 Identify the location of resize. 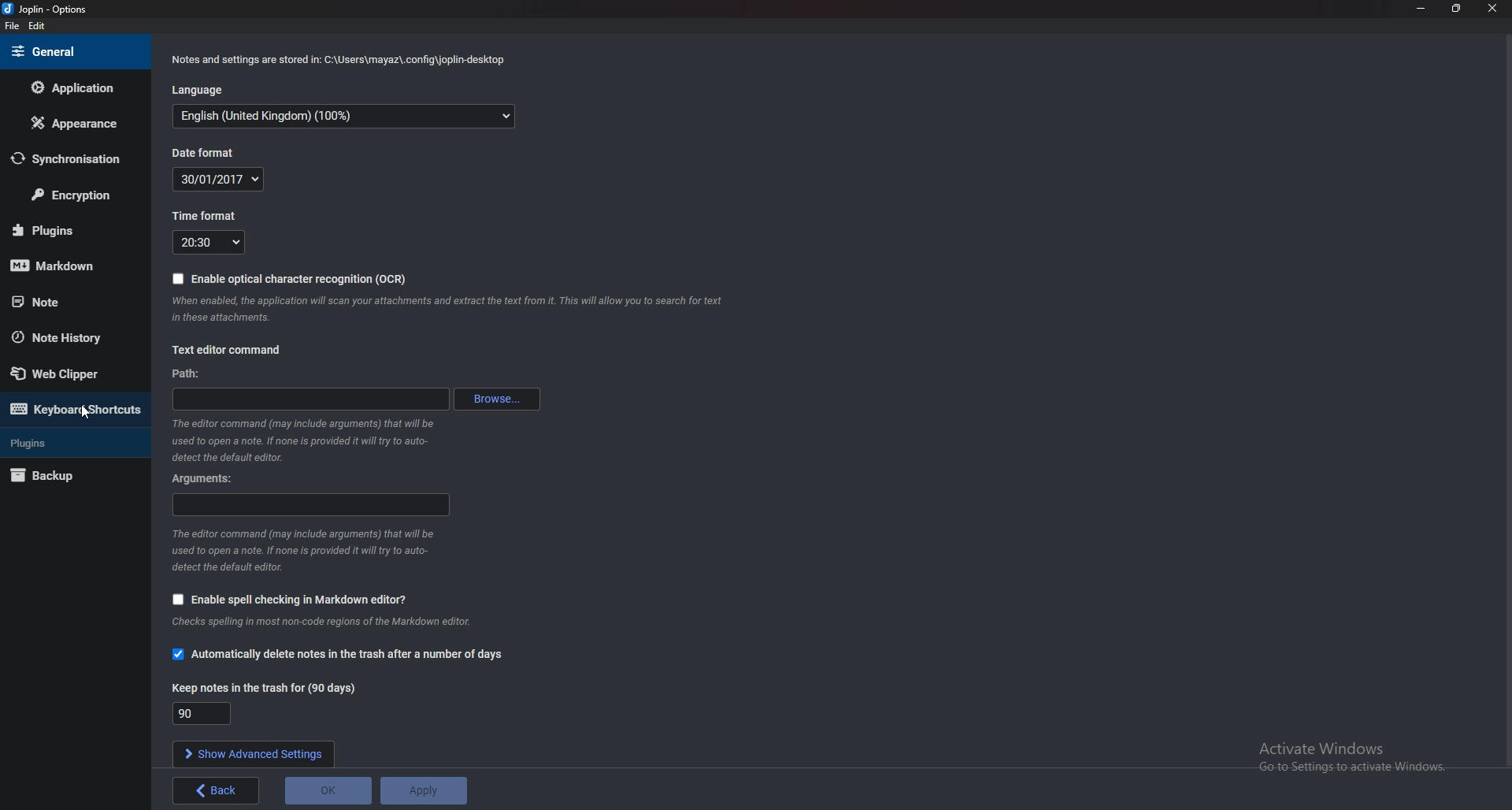
(1457, 9).